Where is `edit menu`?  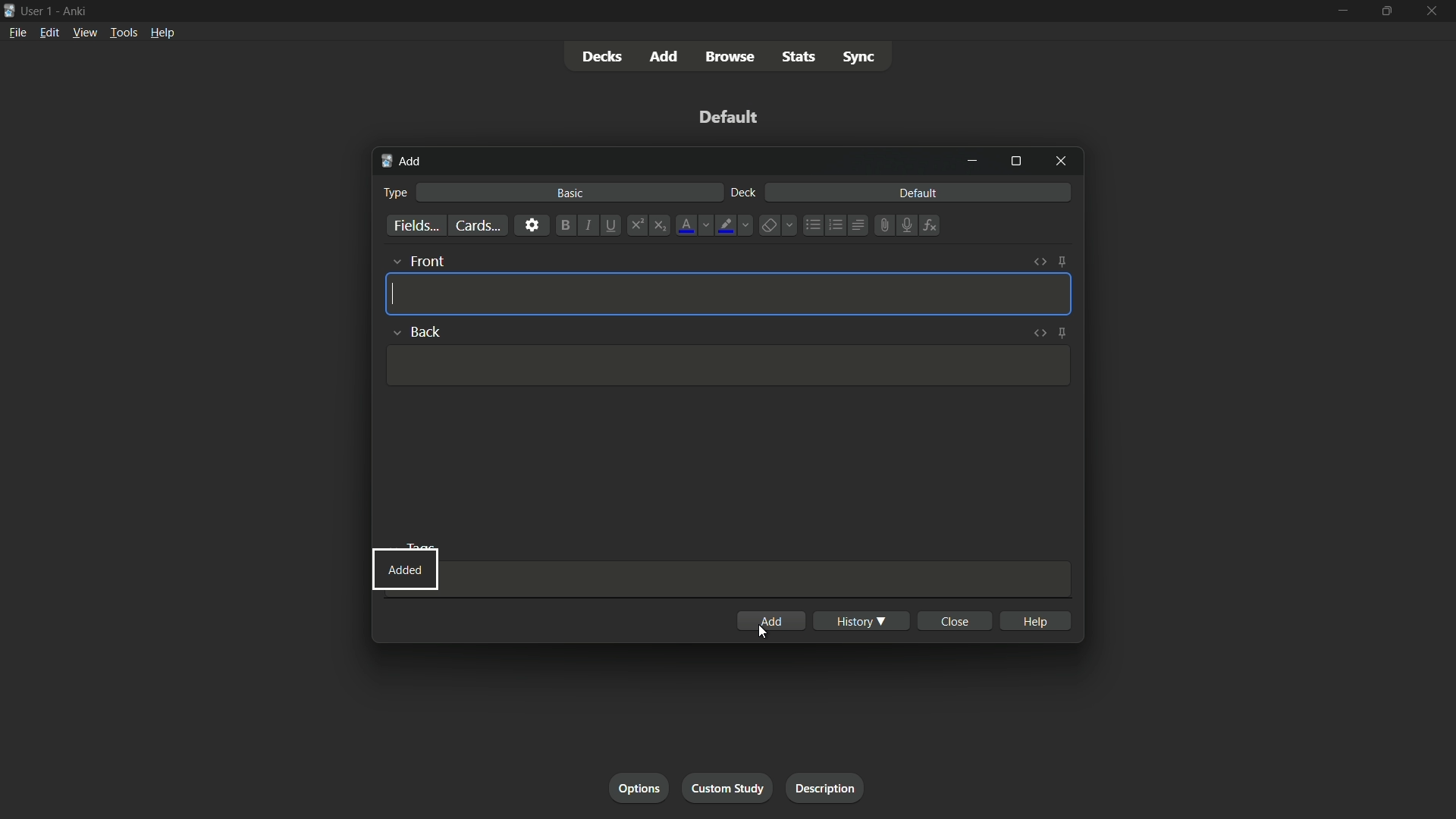
edit menu is located at coordinates (49, 33).